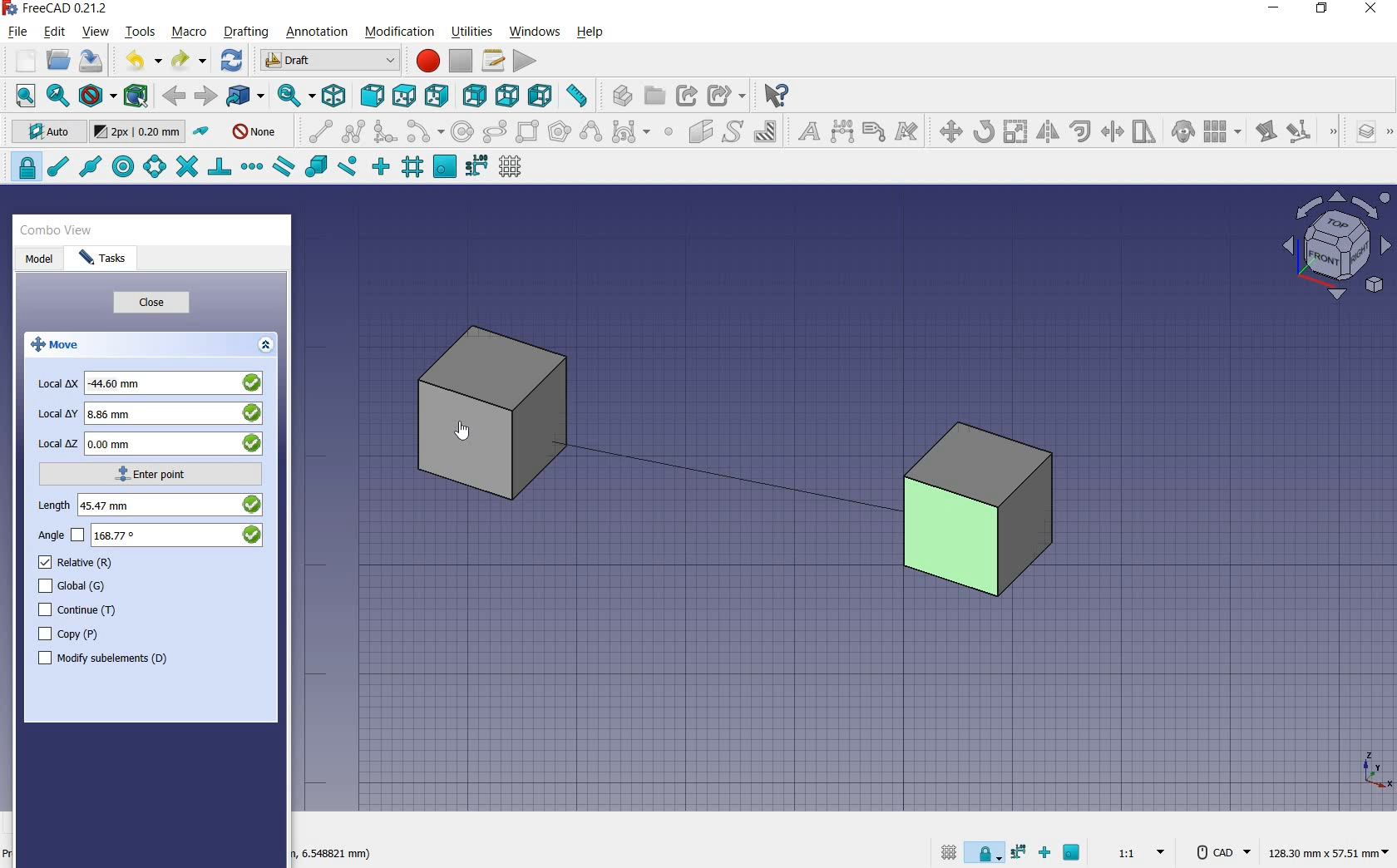 The height and width of the screenshot is (868, 1397). What do you see at coordinates (268, 345) in the screenshot?
I see `expand` at bounding box center [268, 345].